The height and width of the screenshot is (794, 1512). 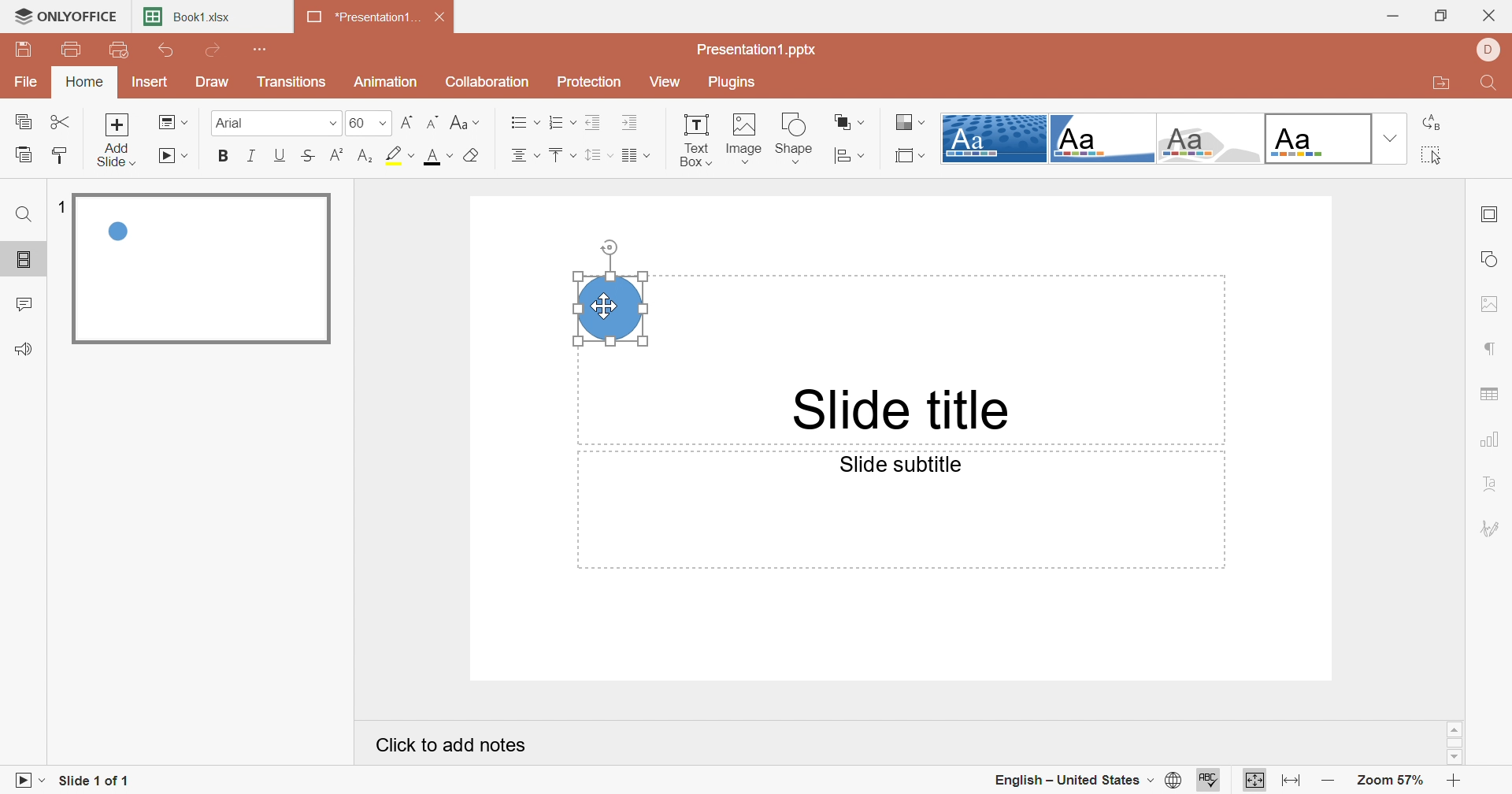 I want to click on Chart settings, so click(x=1492, y=440).